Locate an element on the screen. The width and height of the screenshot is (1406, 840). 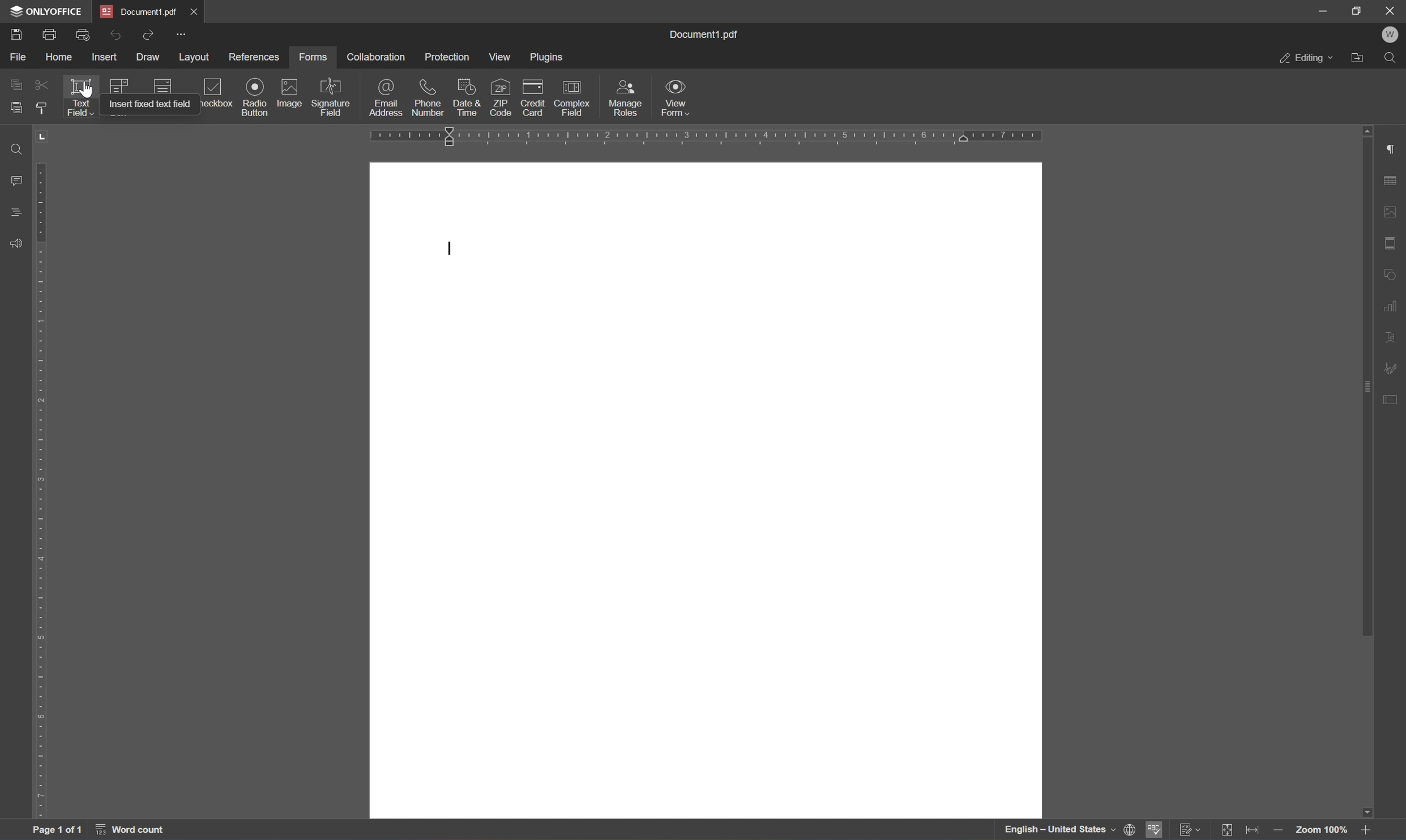
header and footer settings is located at coordinates (1391, 243).